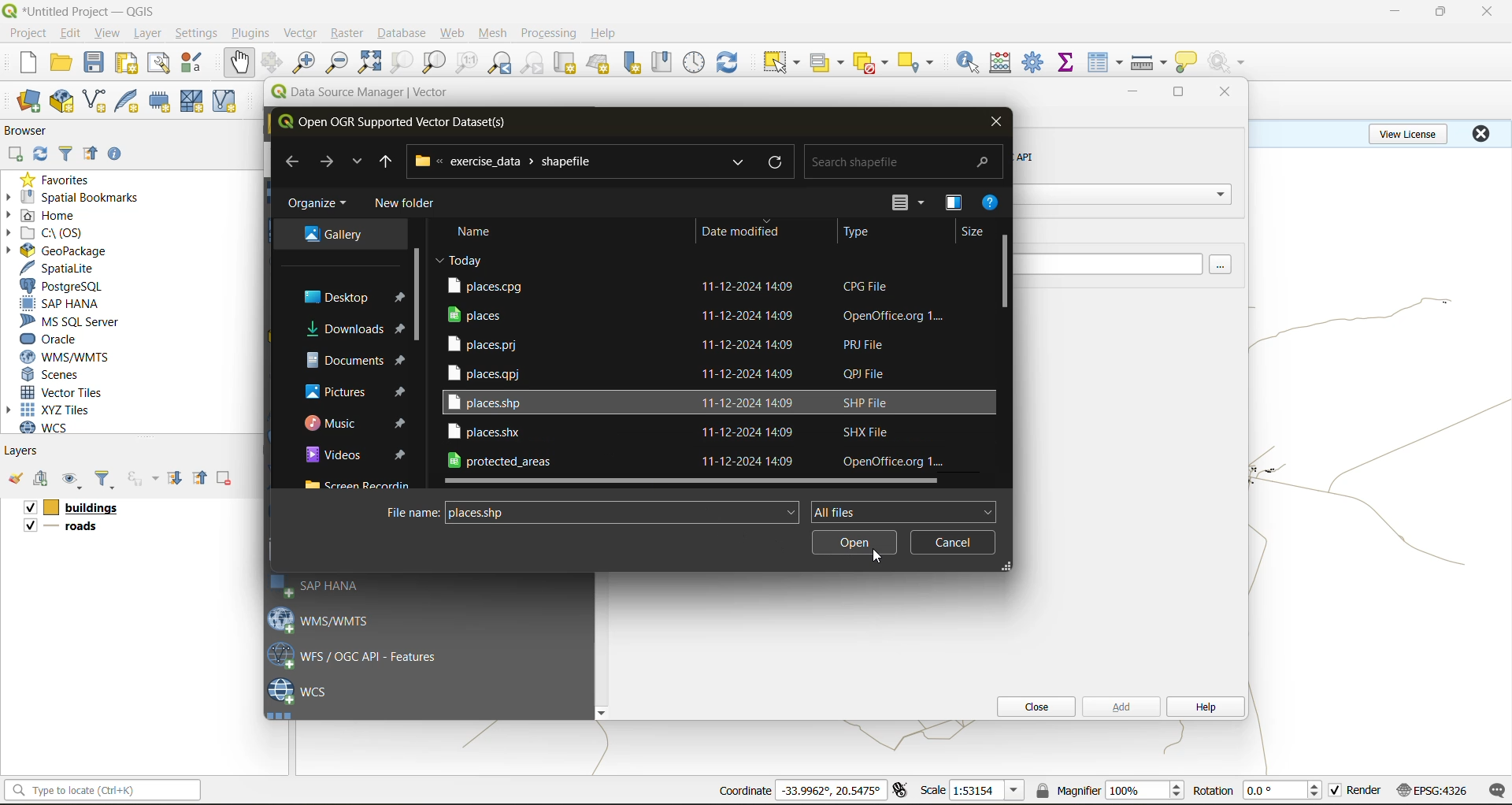 This screenshot has width=1512, height=805. Describe the element at coordinates (1180, 95) in the screenshot. I see `maximize` at that location.